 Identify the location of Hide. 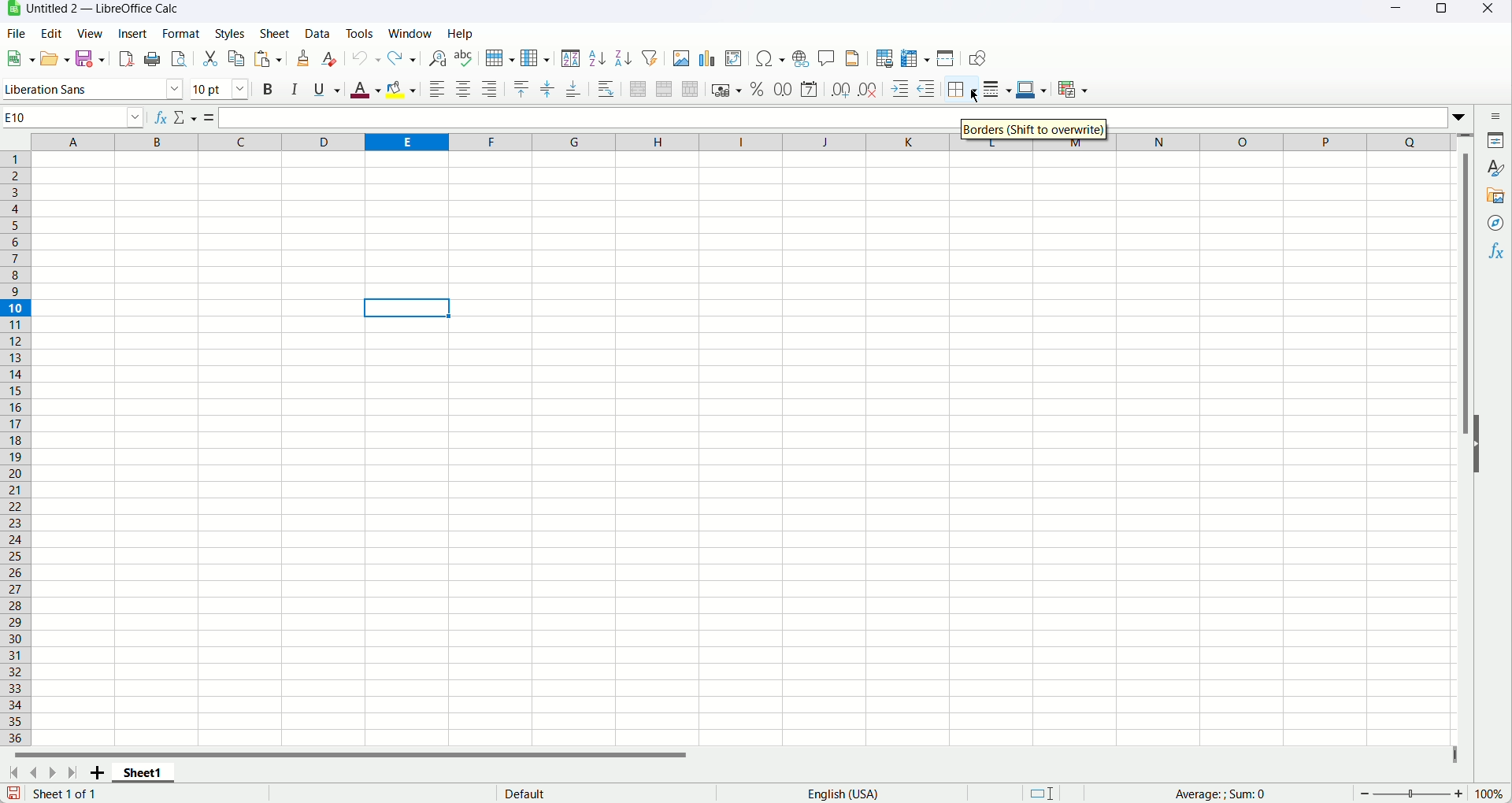
(1484, 443).